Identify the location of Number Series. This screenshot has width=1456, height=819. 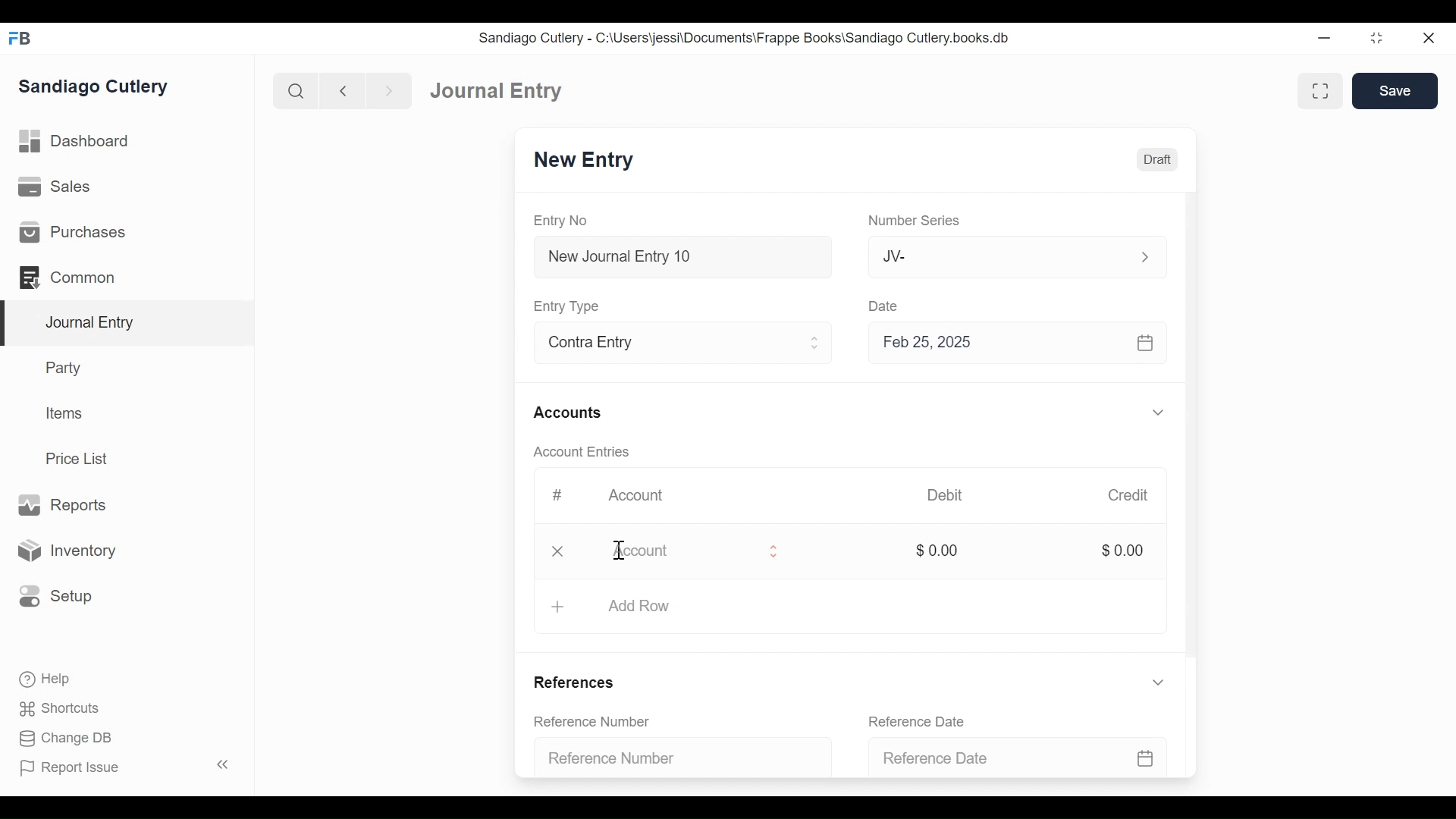
(917, 221).